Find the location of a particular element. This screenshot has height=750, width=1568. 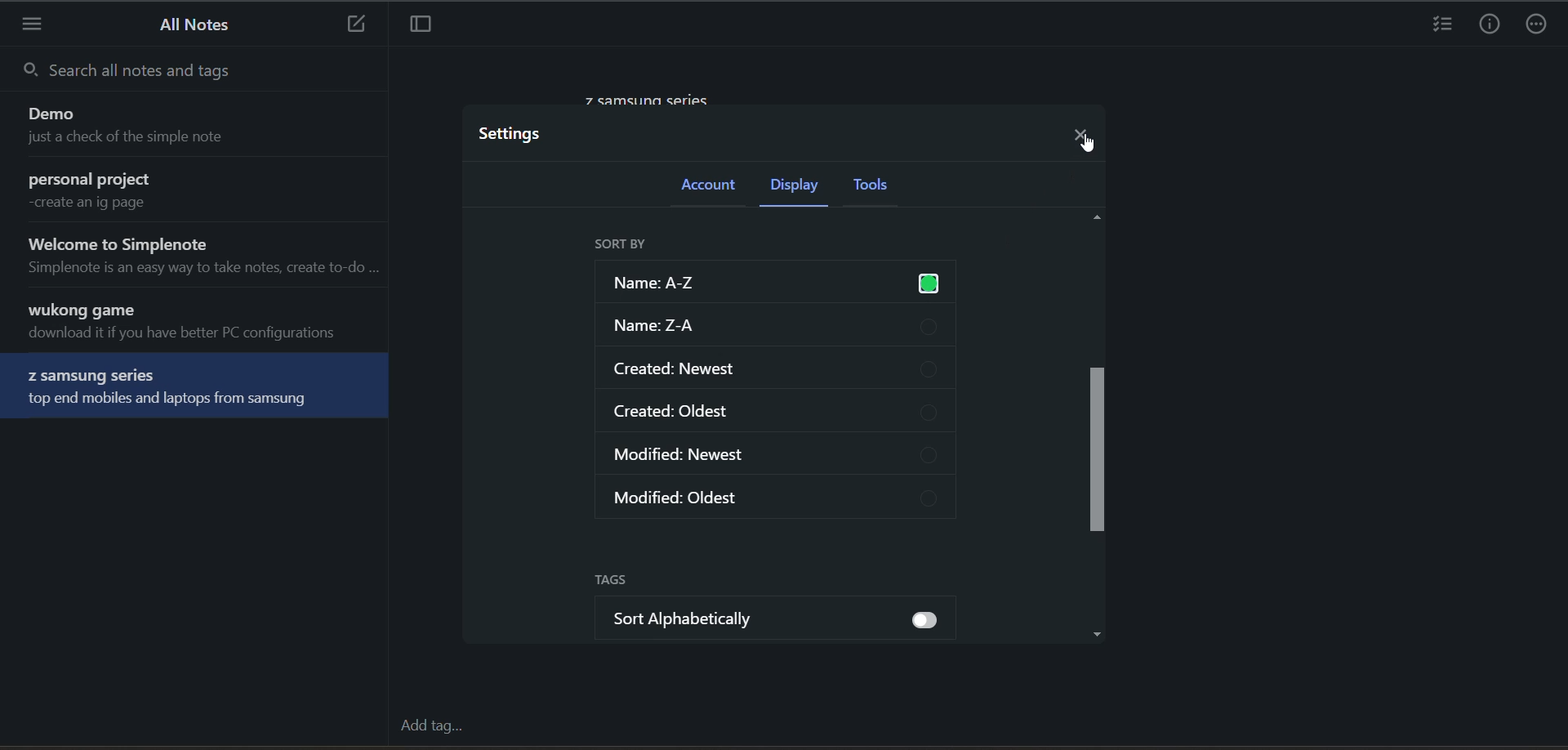

Demo
just a check of the simple note is located at coordinates (198, 128).